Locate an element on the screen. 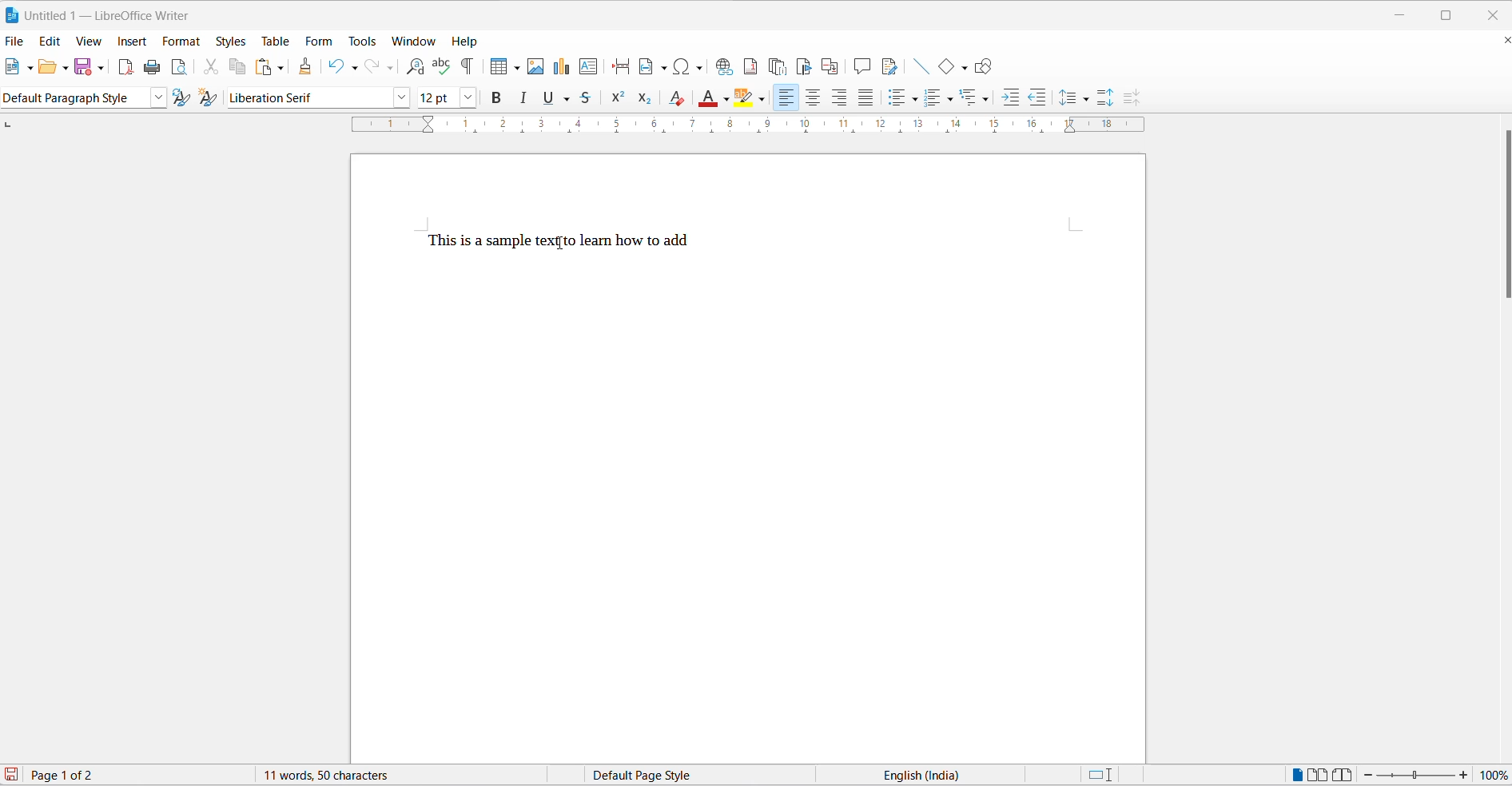  insert comment is located at coordinates (861, 66).